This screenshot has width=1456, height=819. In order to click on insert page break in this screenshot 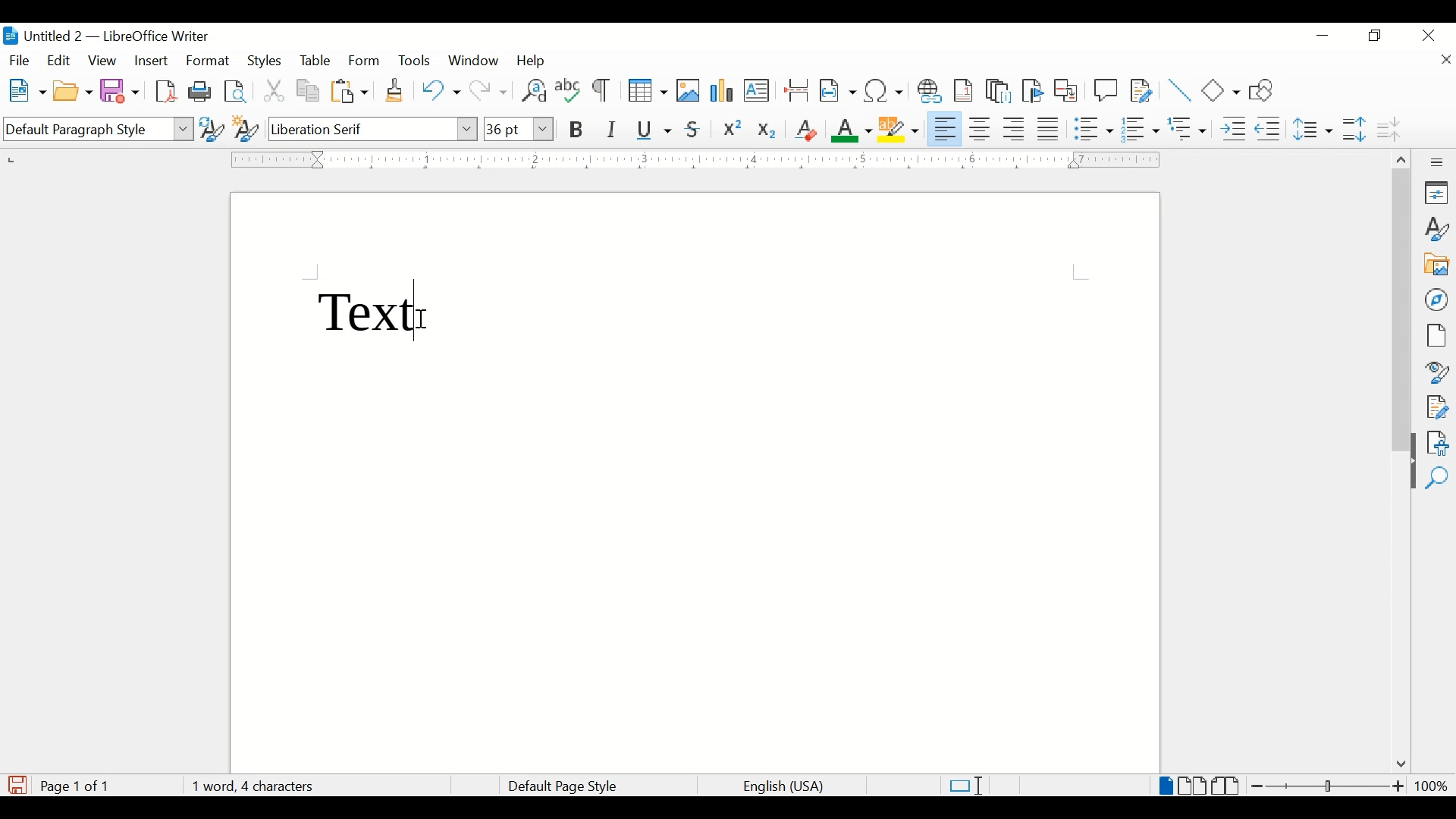, I will do `click(796, 89)`.